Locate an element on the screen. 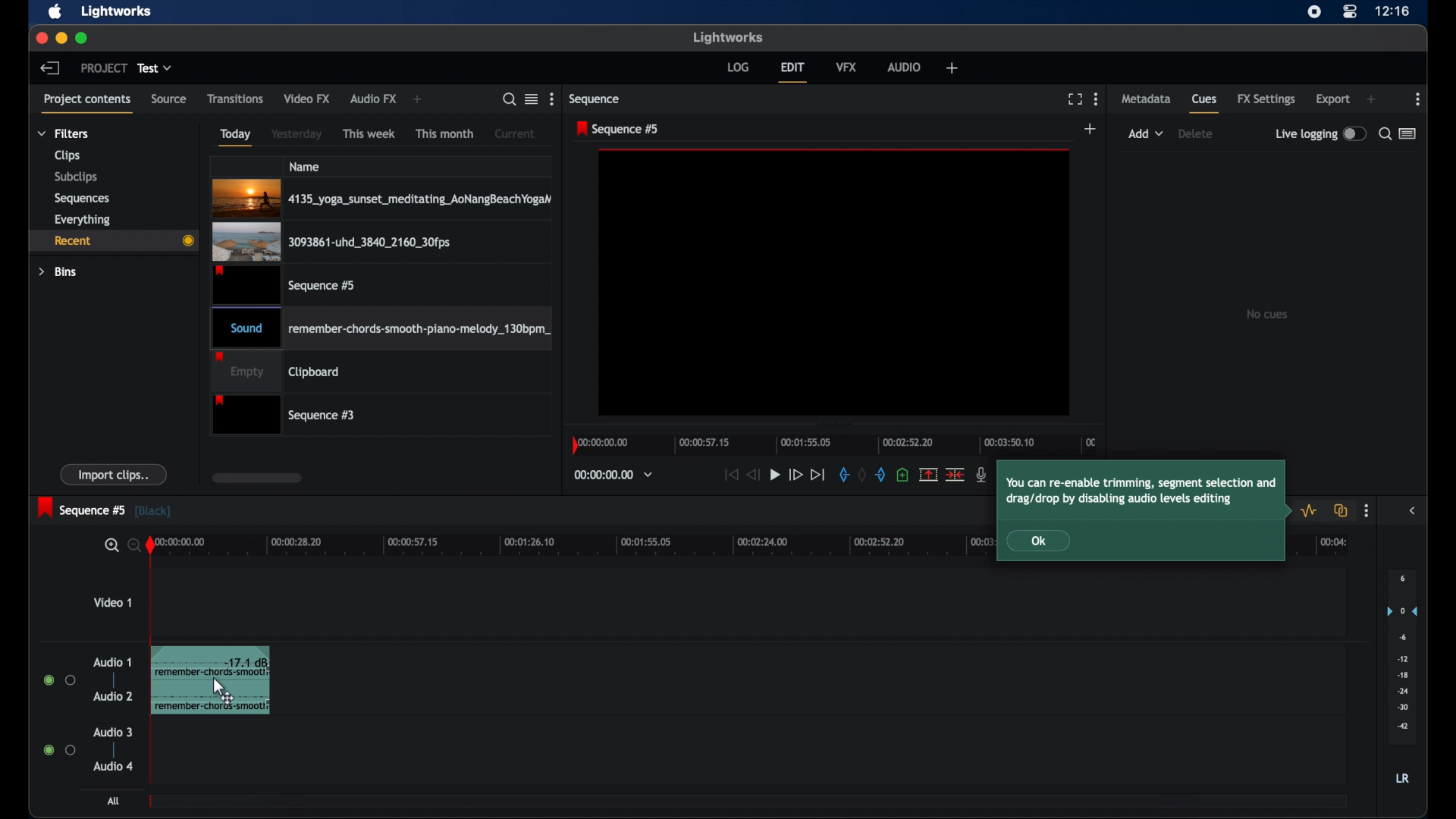 This screenshot has width=1456, height=819. import clips is located at coordinates (114, 474).